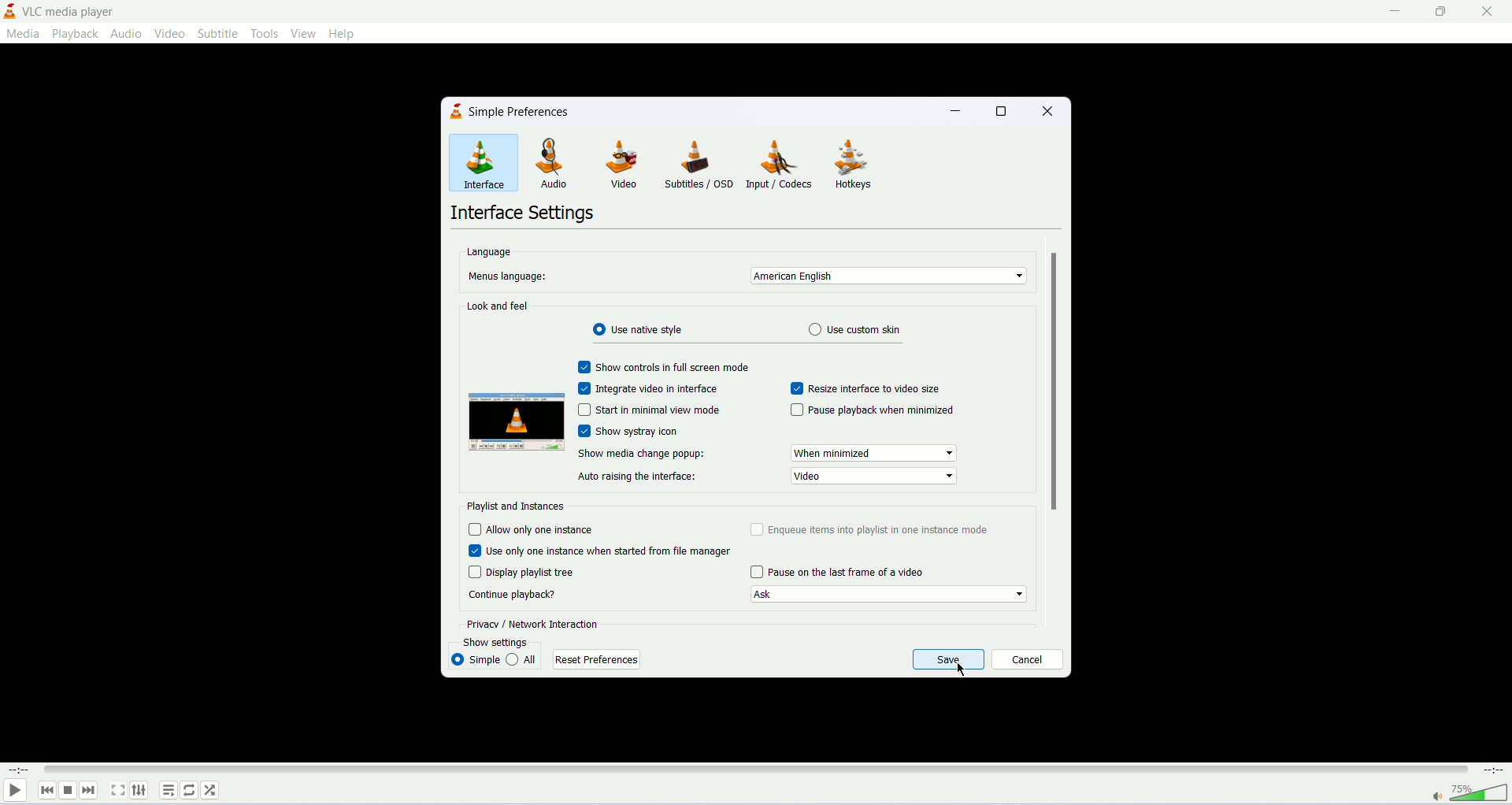 Image resolution: width=1512 pixels, height=805 pixels. I want to click on mouse cursor, so click(963, 670).